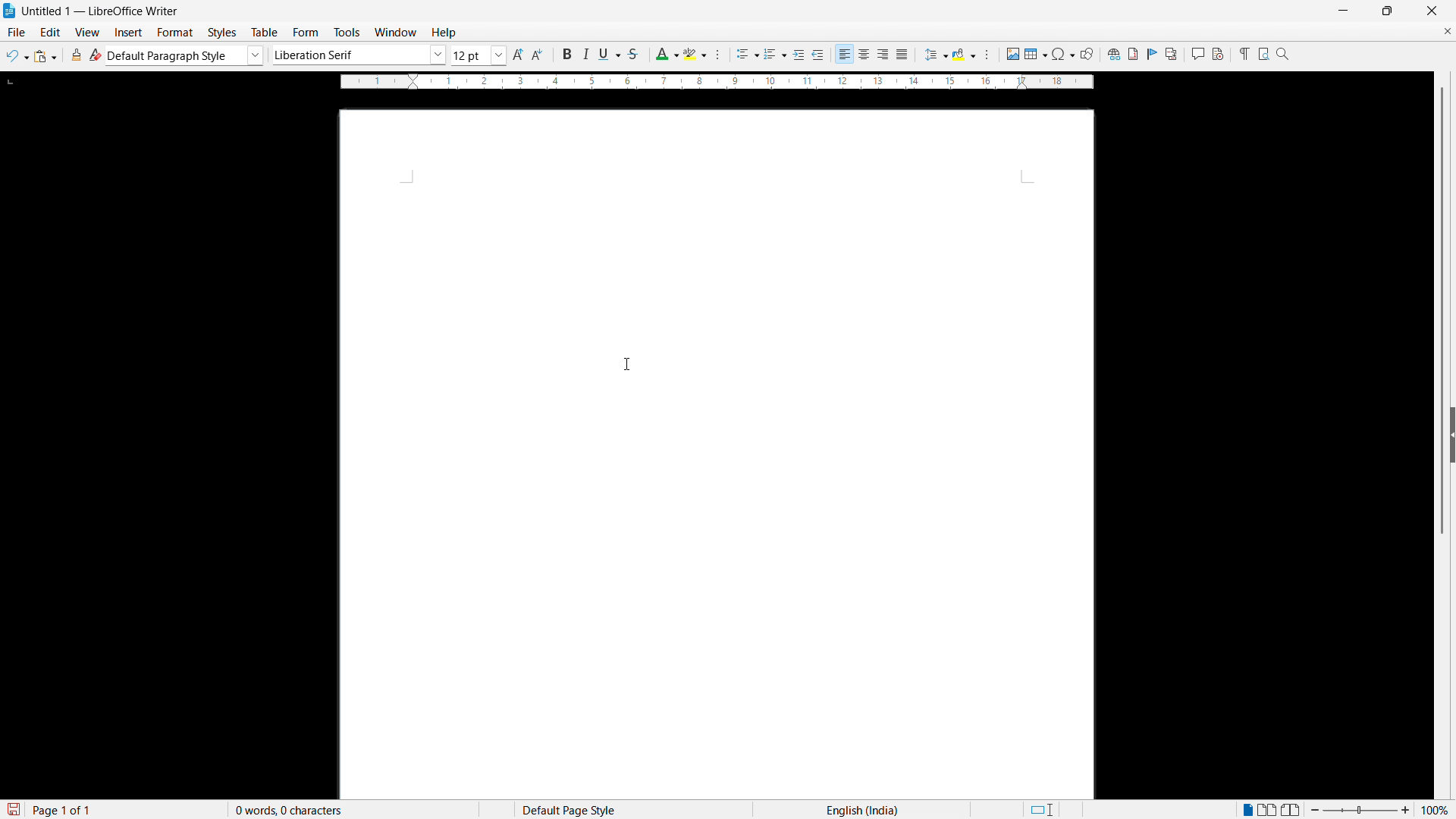 This screenshot has width=1456, height=819. What do you see at coordinates (479, 55) in the screenshot?
I see `Set font size ` at bounding box center [479, 55].